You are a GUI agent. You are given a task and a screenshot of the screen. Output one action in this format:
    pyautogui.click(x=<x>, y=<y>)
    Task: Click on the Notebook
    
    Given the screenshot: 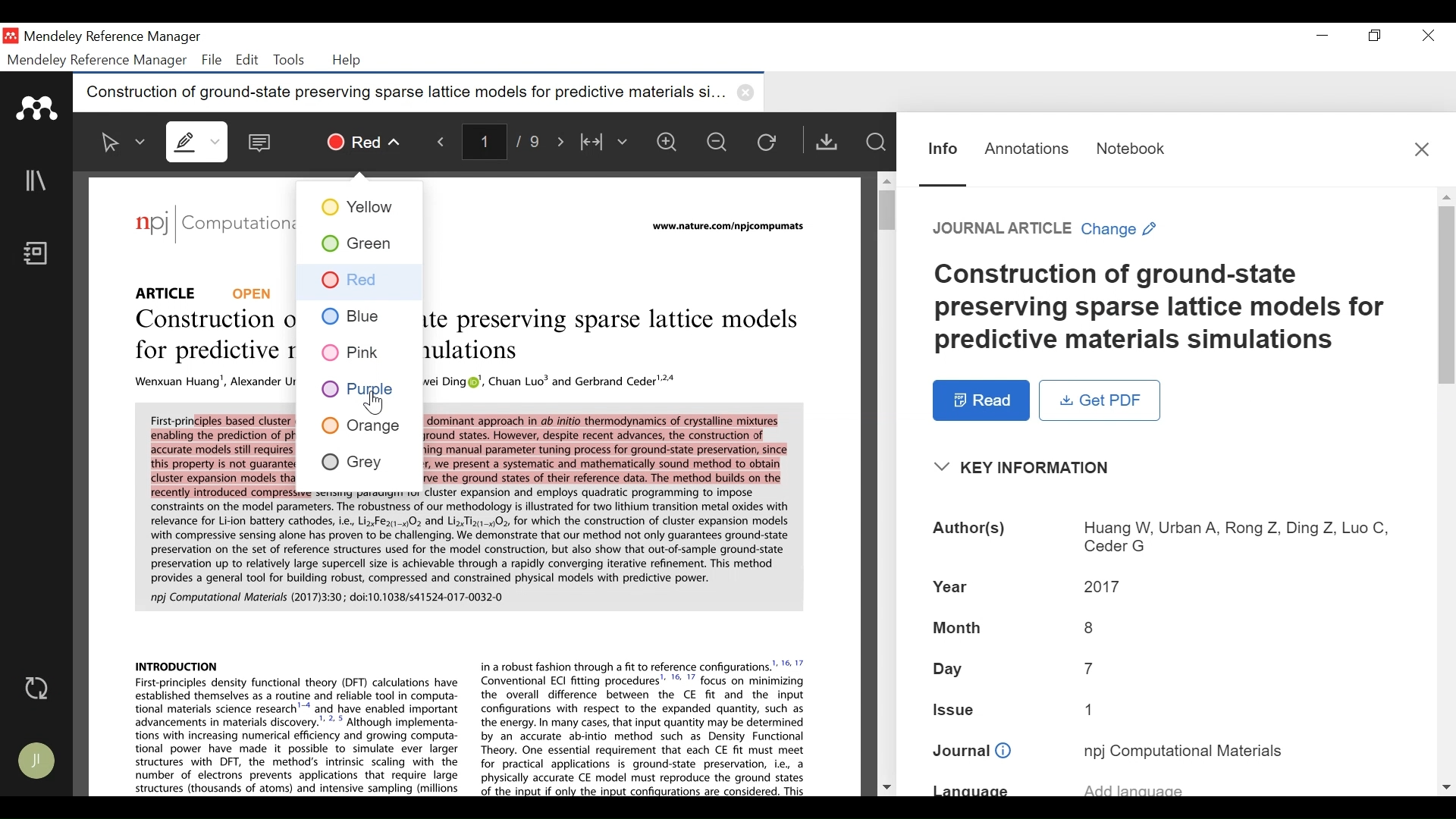 What is the action you would take?
    pyautogui.click(x=38, y=255)
    